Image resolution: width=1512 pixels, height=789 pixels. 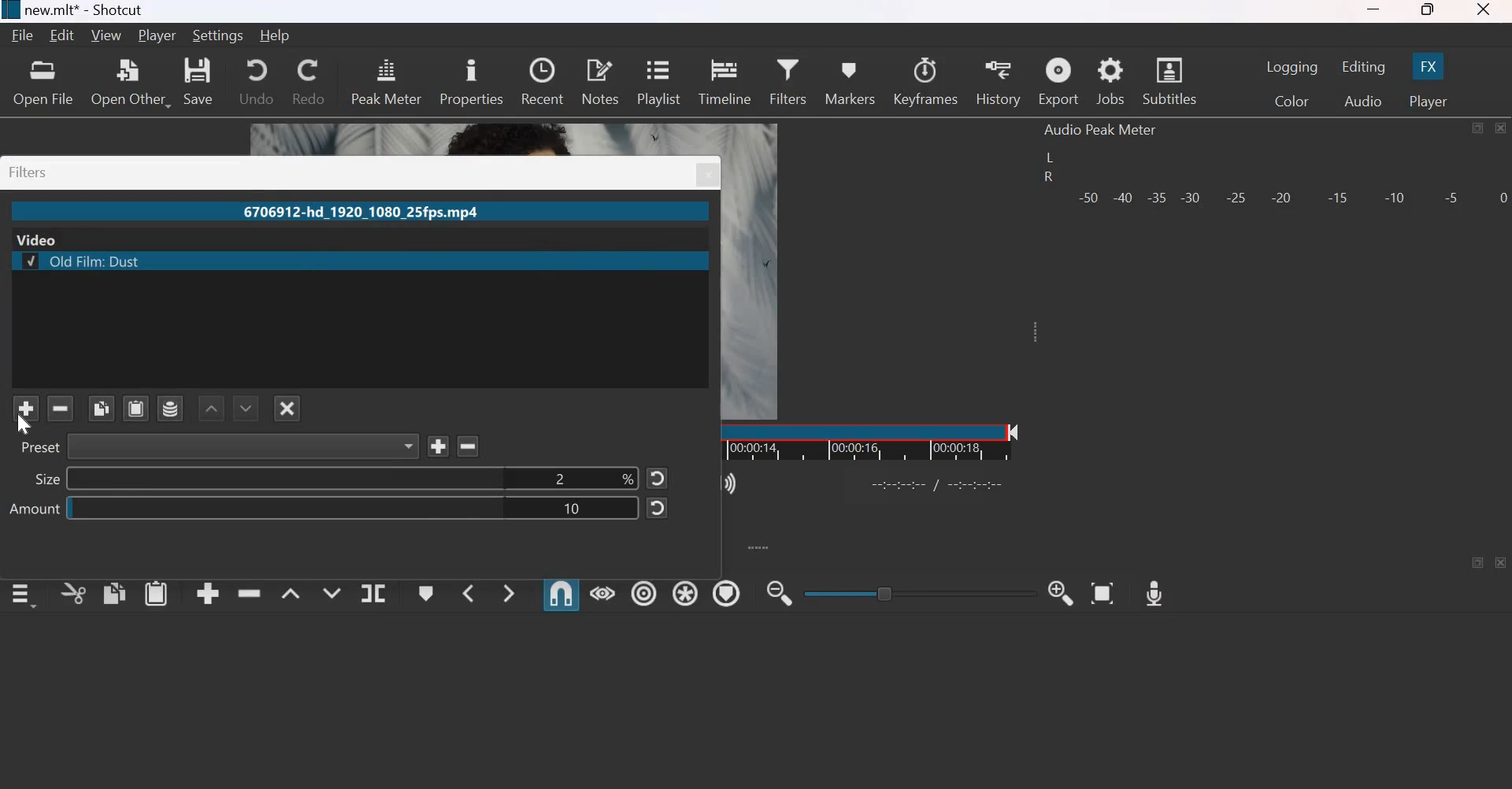 I want to click on Playlist, so click(x=660, y=81).